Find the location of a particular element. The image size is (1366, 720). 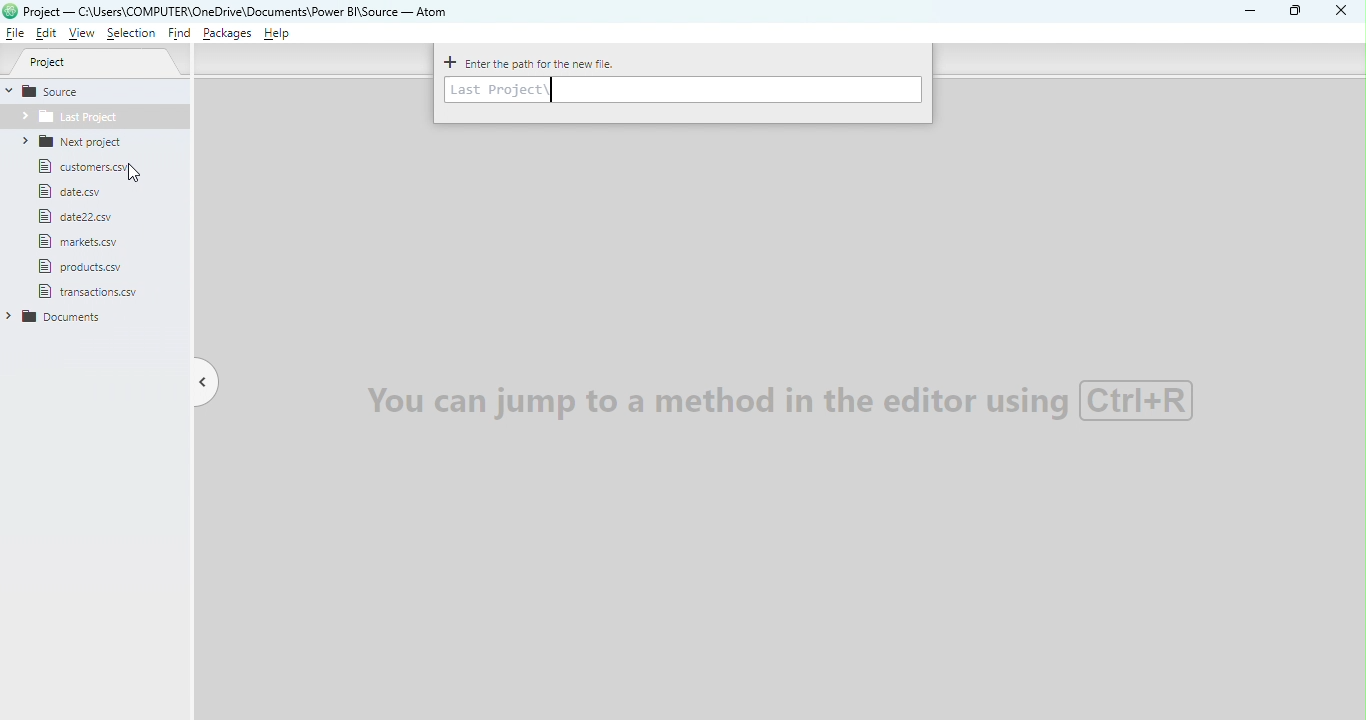

Maximize is located at coordinates (1298, 10).